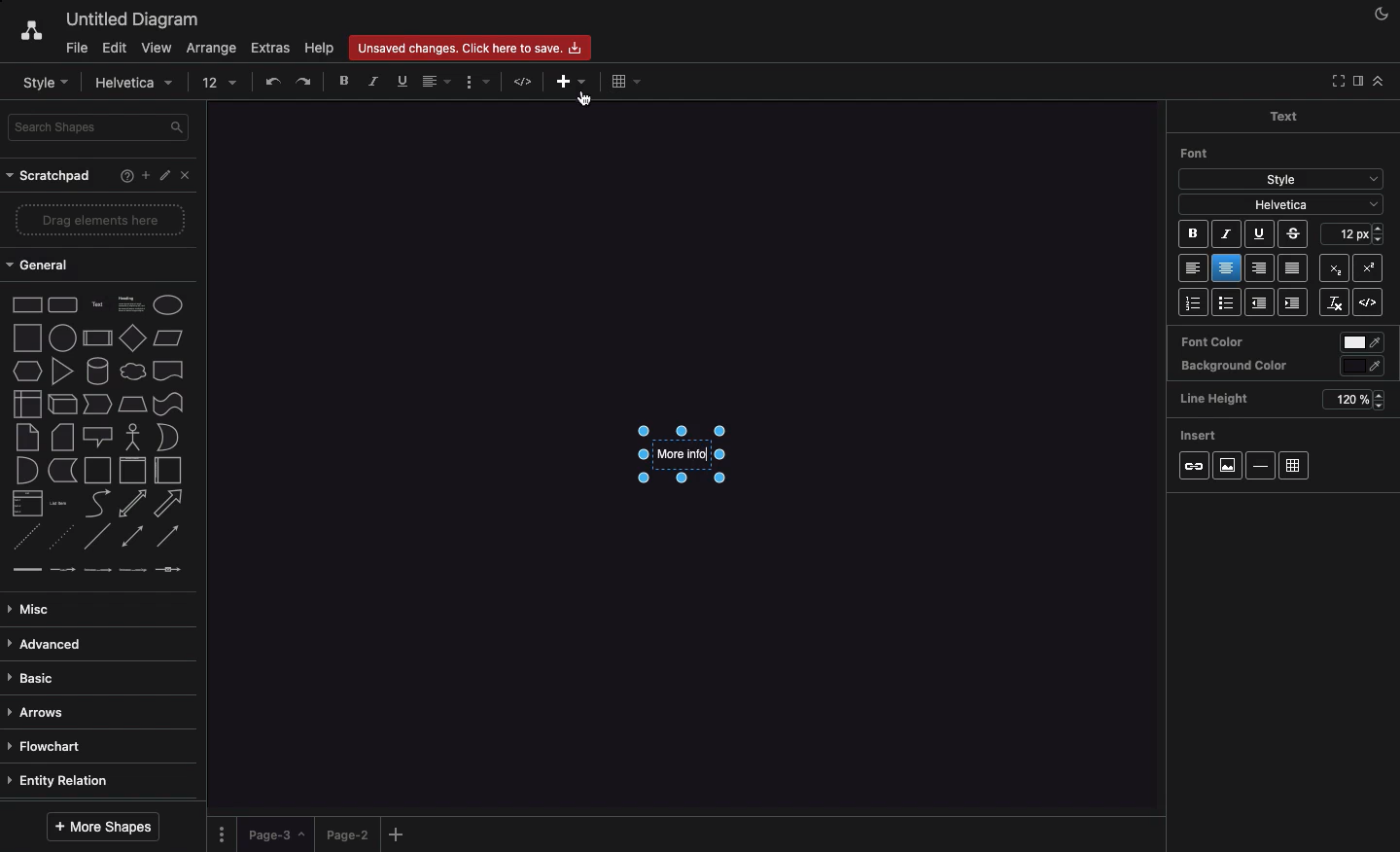 The image size is (1400, 852). Describe the element at coordinates (106, 826) in the screenshot. I see `More shapes` at that location.